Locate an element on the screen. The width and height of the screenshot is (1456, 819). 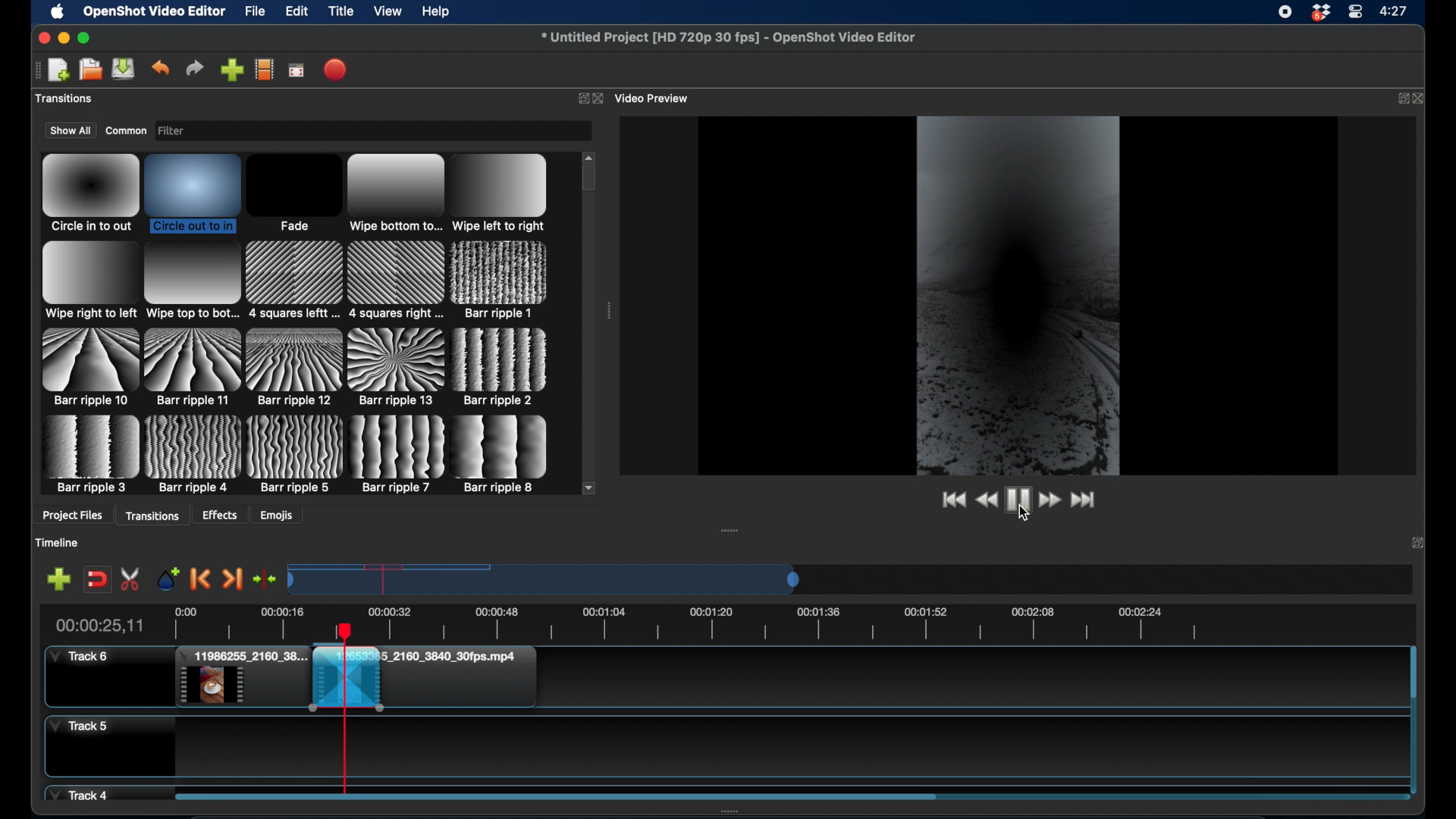
timeline is located at coordinates (751, 621).